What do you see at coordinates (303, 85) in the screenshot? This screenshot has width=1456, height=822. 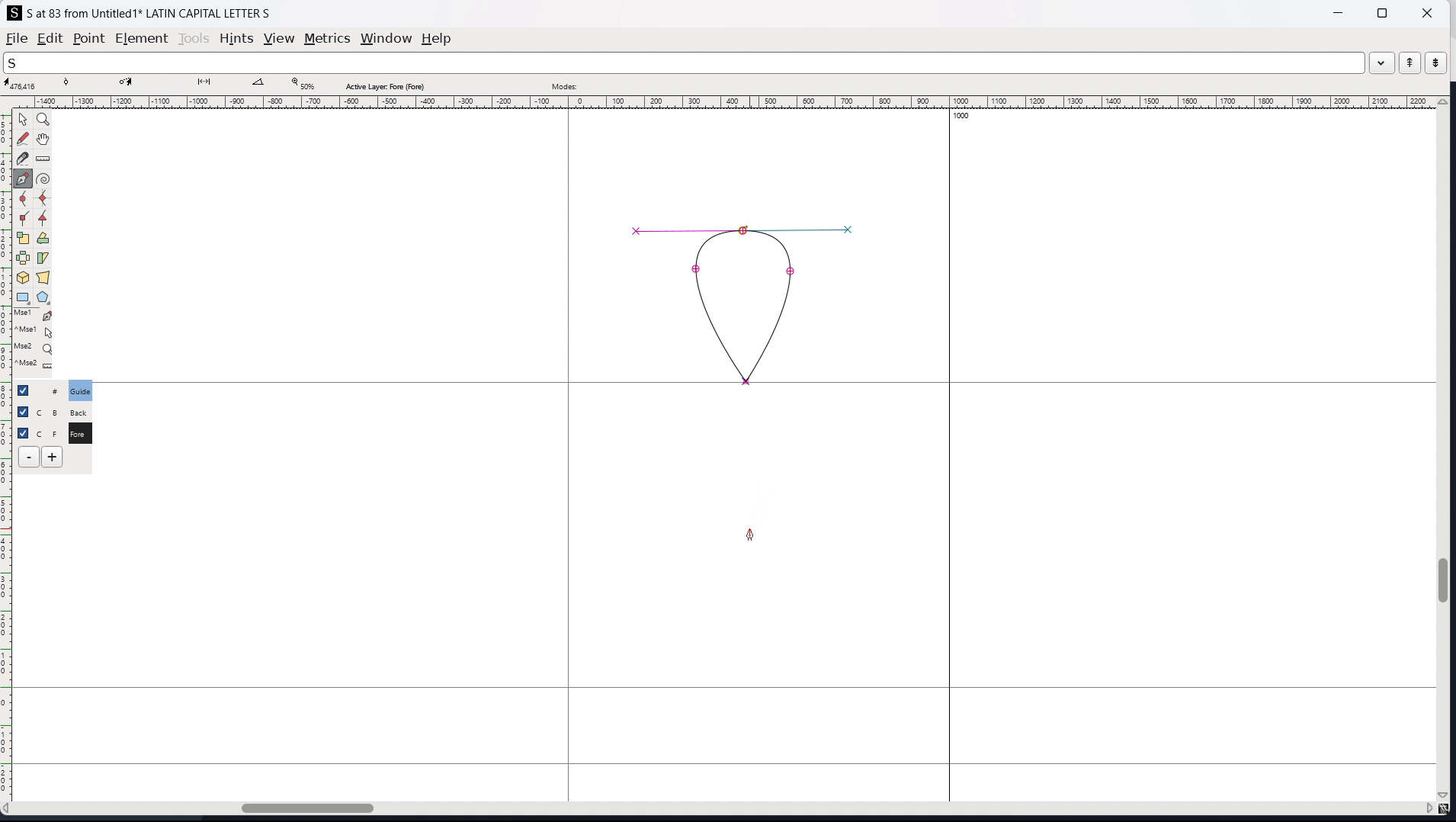 I see `zoom level` at bounding box center [303, 85].